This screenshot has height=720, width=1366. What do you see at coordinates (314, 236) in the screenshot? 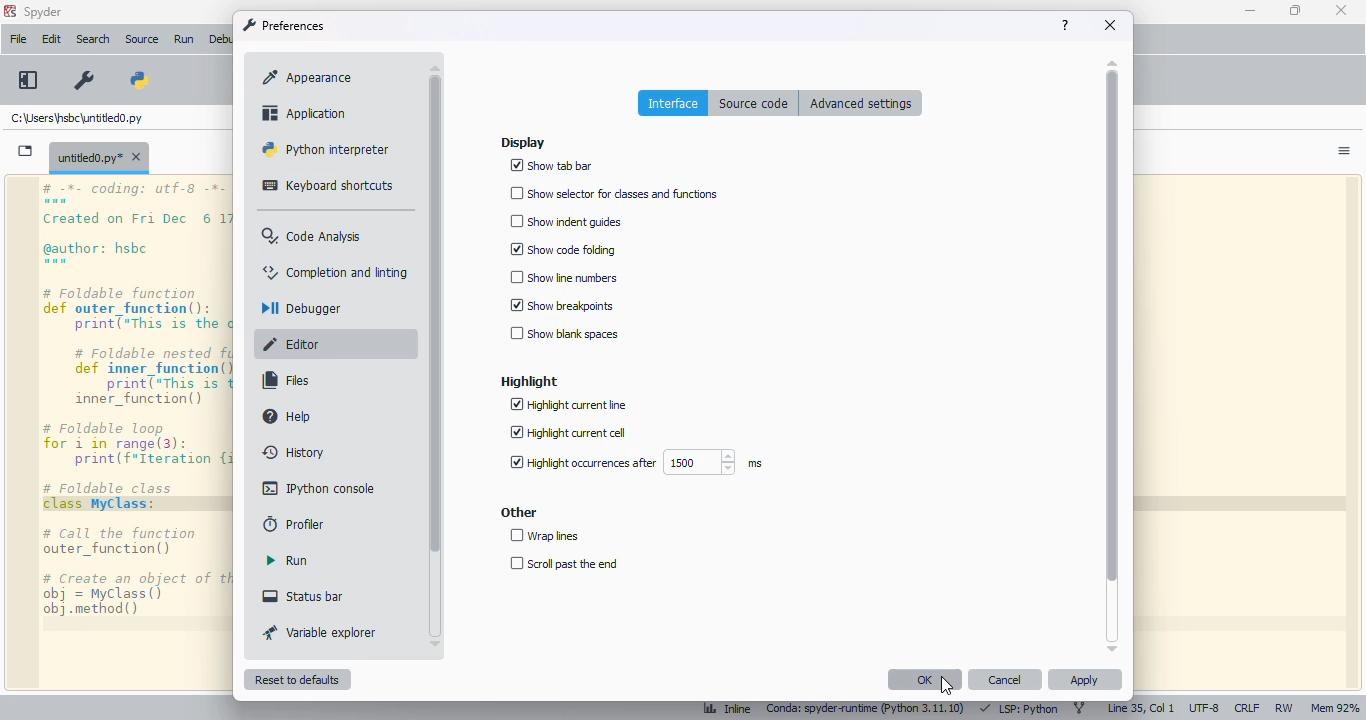
I see `code analysis` at bounding box center [314, 236].